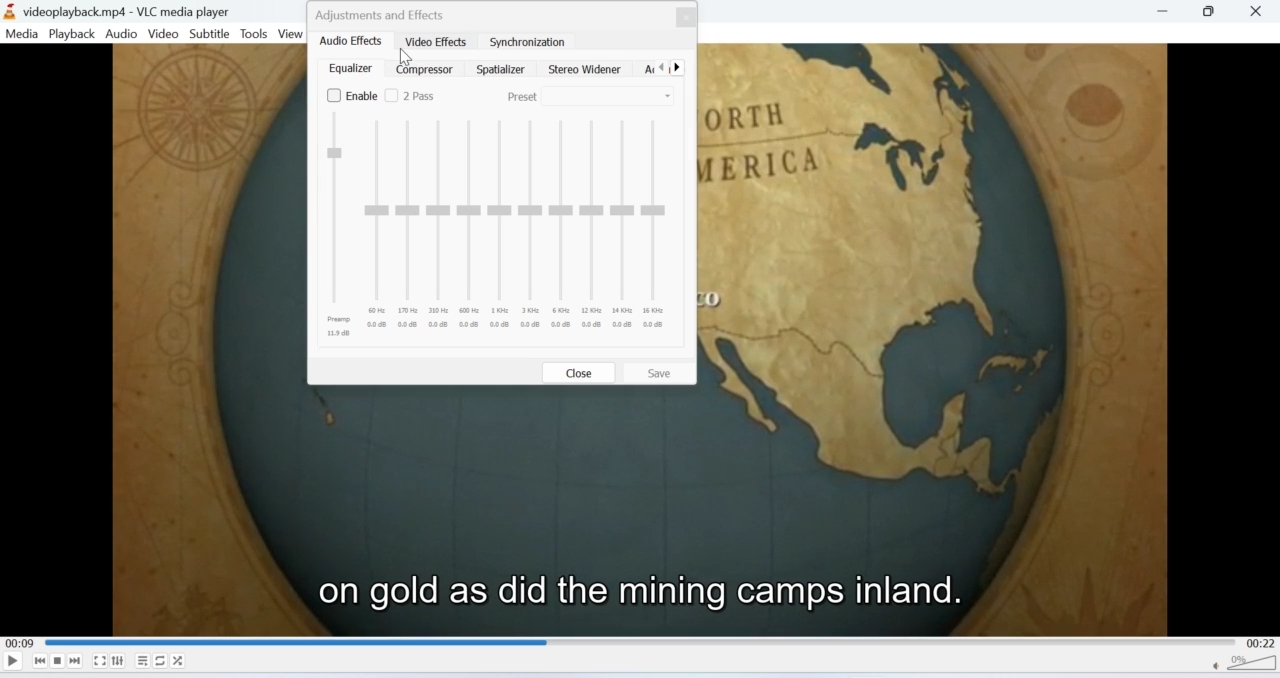  What do you see at coordinates (161, 34) in the screenshot?
I see `Video` at bounding box center [161, 34].